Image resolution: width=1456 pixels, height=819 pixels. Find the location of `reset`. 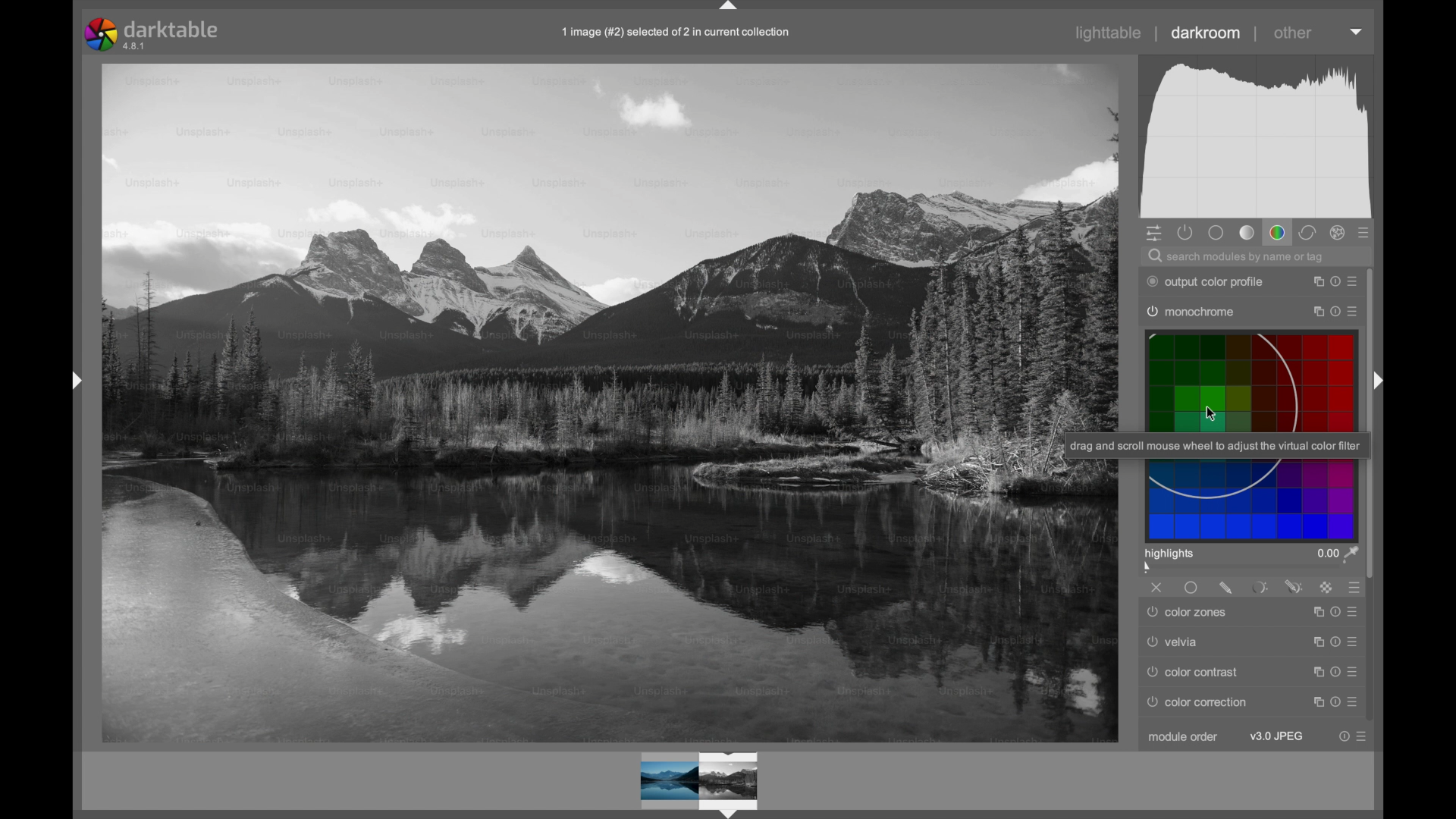

reset is located at coordinates (1336, 701).